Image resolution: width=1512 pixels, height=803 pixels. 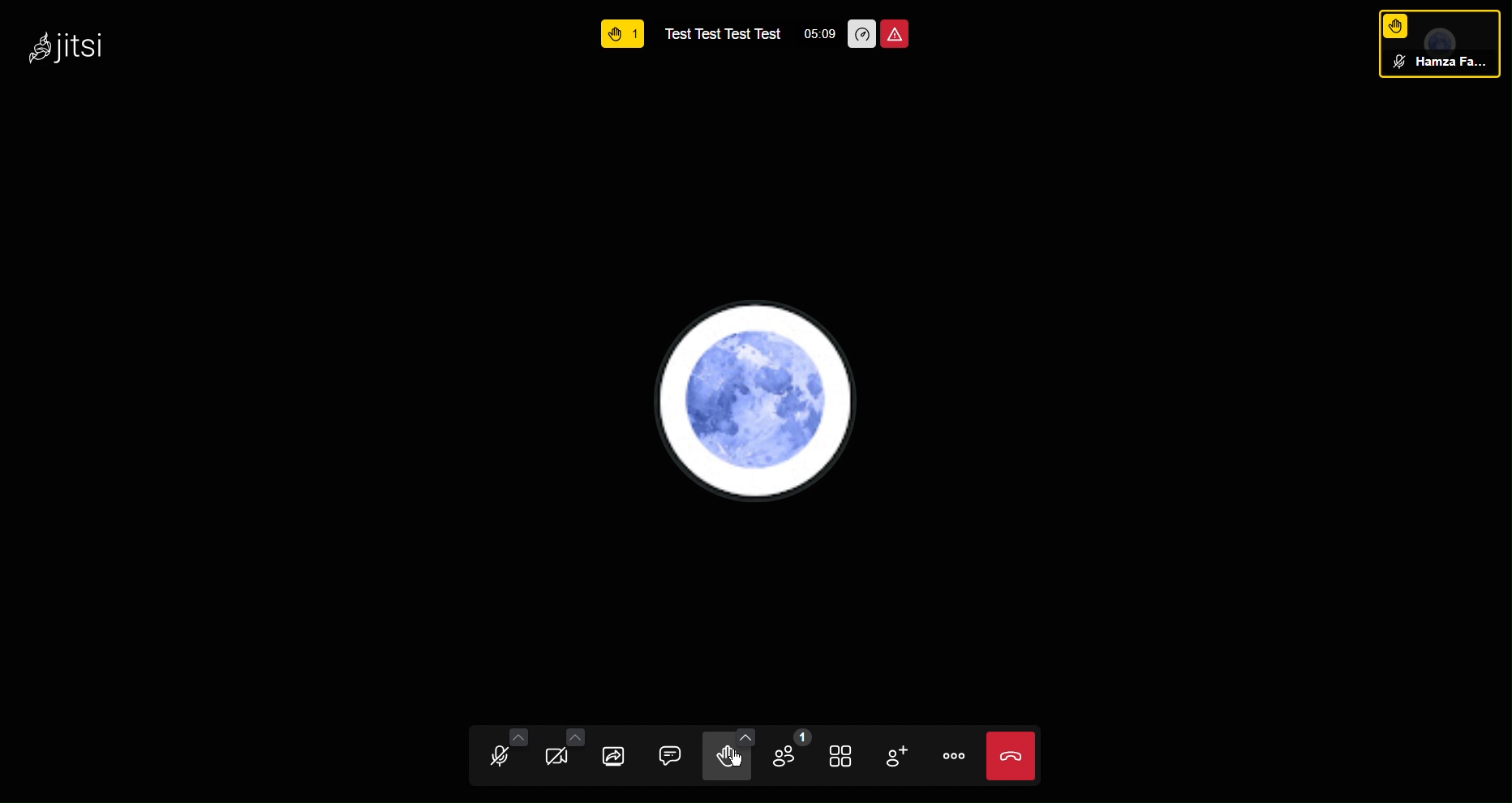 What do you see at coordinates (816, 34) in the screenshot?
I see `05:09` at bounding box center [816, 34].